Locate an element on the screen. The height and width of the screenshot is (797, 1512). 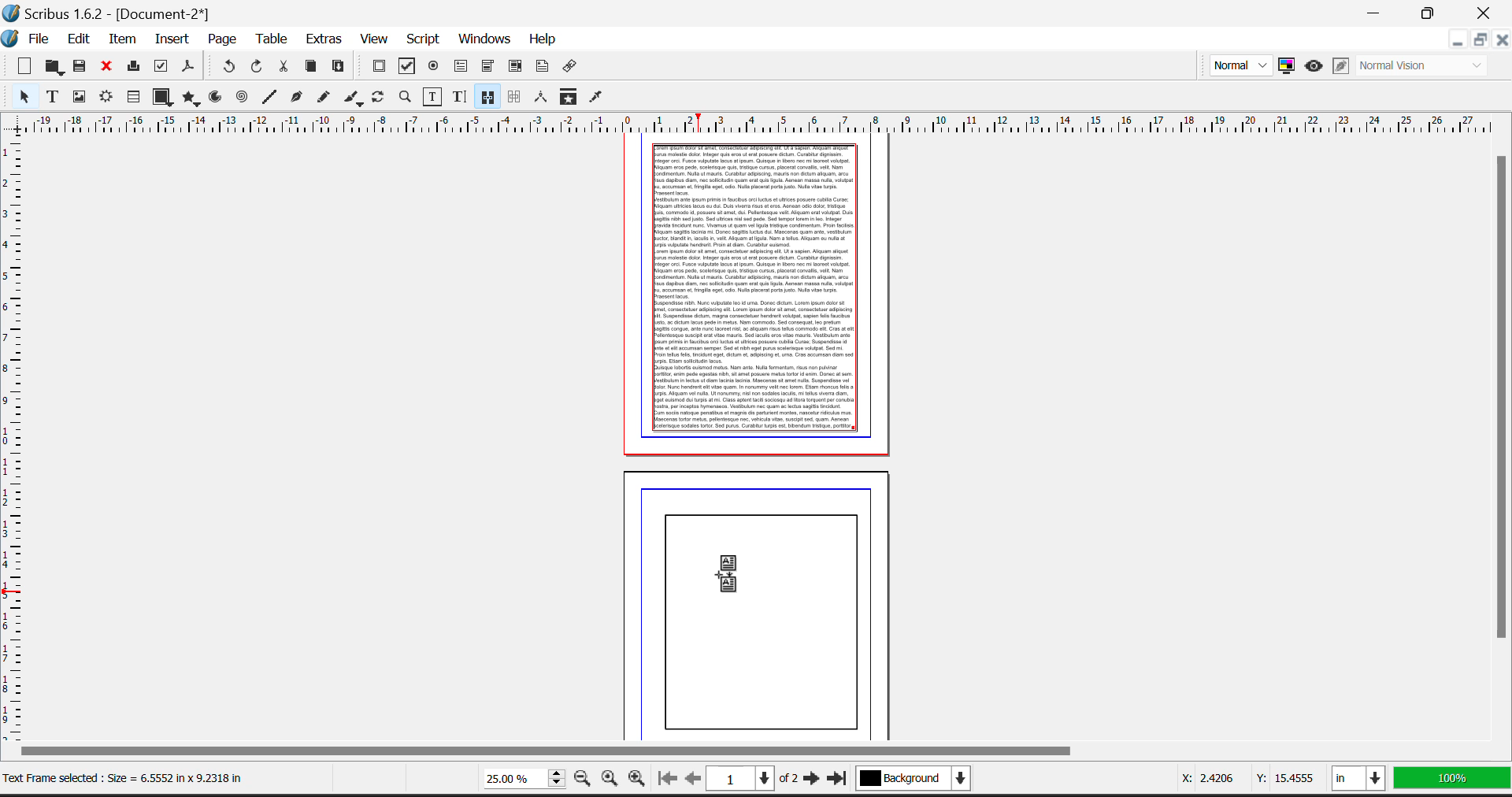
Insert is located at coordinates (171, 37).